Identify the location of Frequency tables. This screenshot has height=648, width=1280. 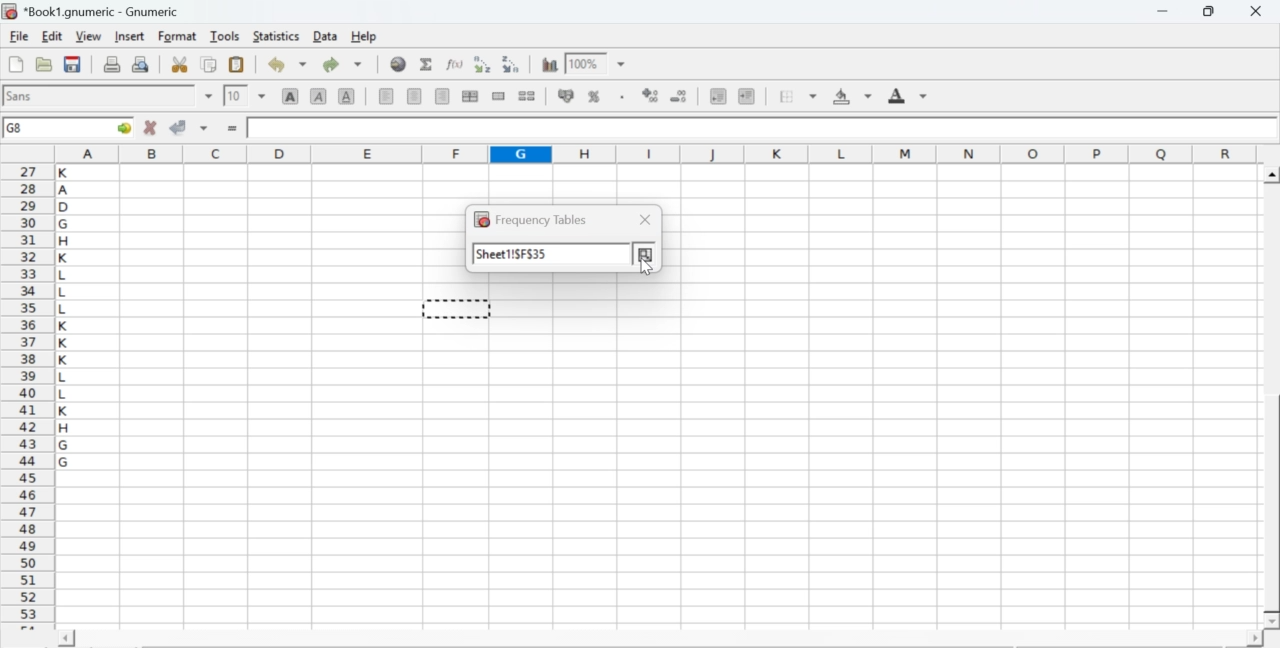
(525, 221).